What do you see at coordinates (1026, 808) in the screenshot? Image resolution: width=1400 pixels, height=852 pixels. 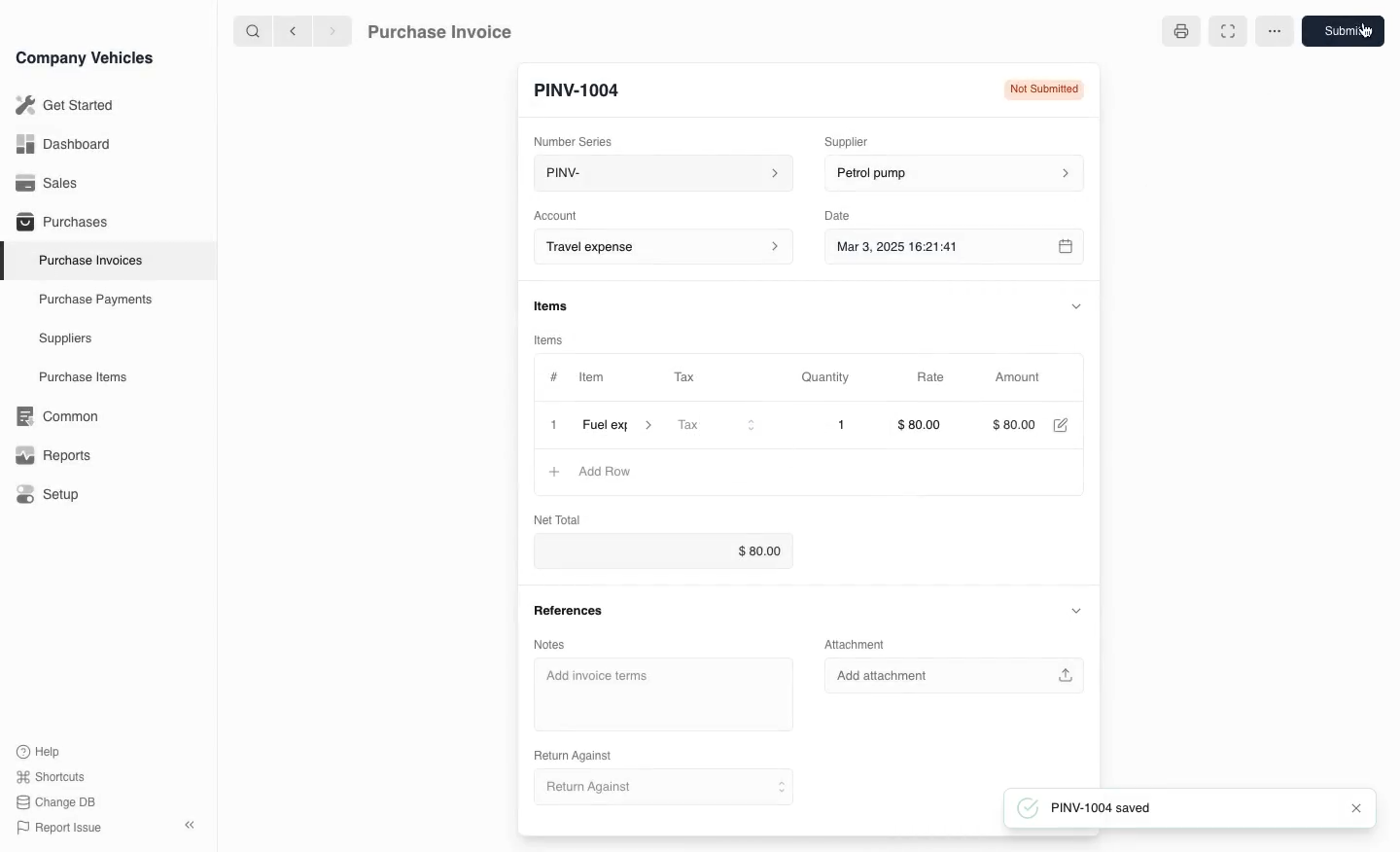 I see `tick mark ` at bounding box center [1026, 808].